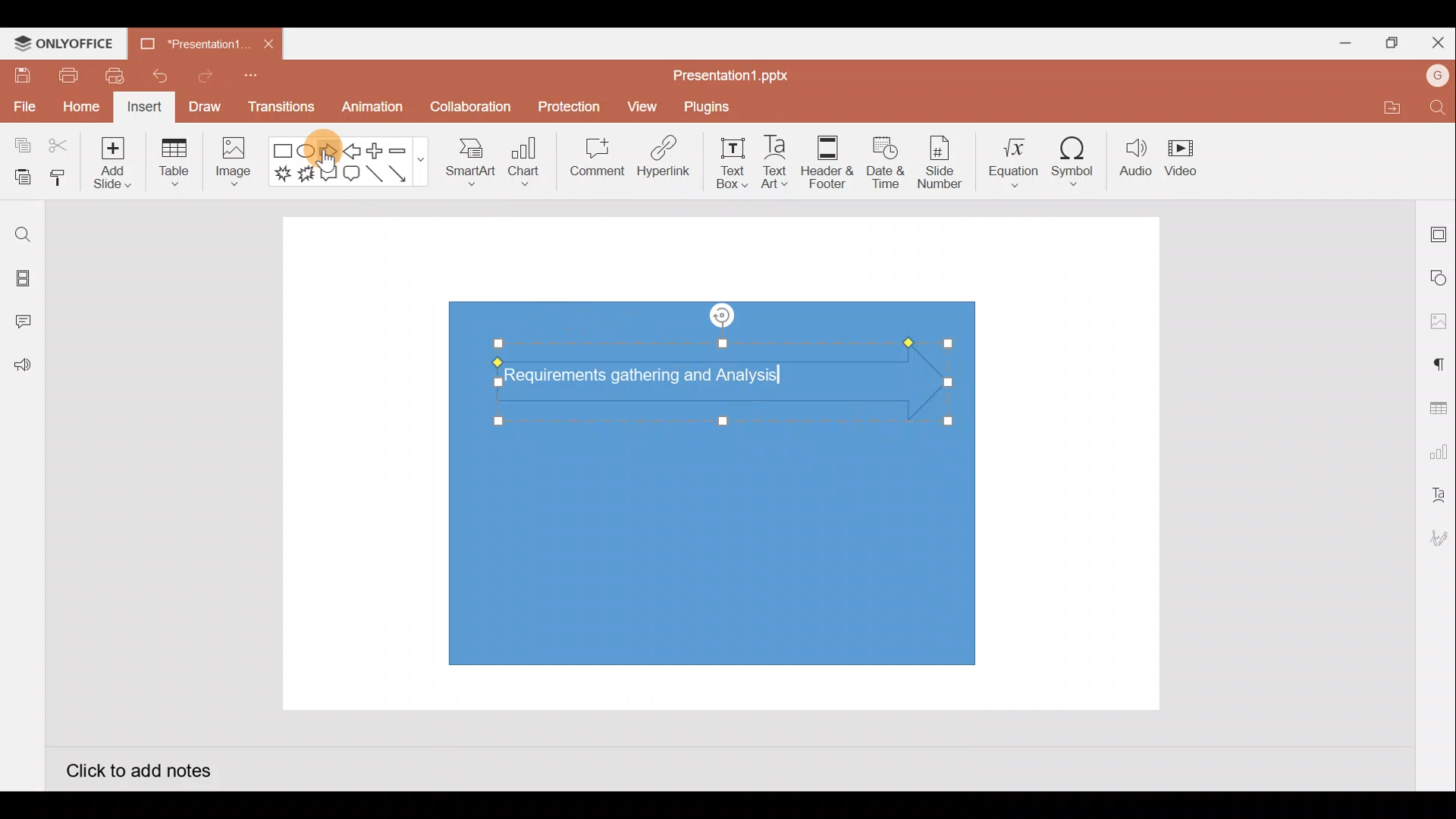 The image size is (1456, 819). I want to click on Image, so click(231, 165).